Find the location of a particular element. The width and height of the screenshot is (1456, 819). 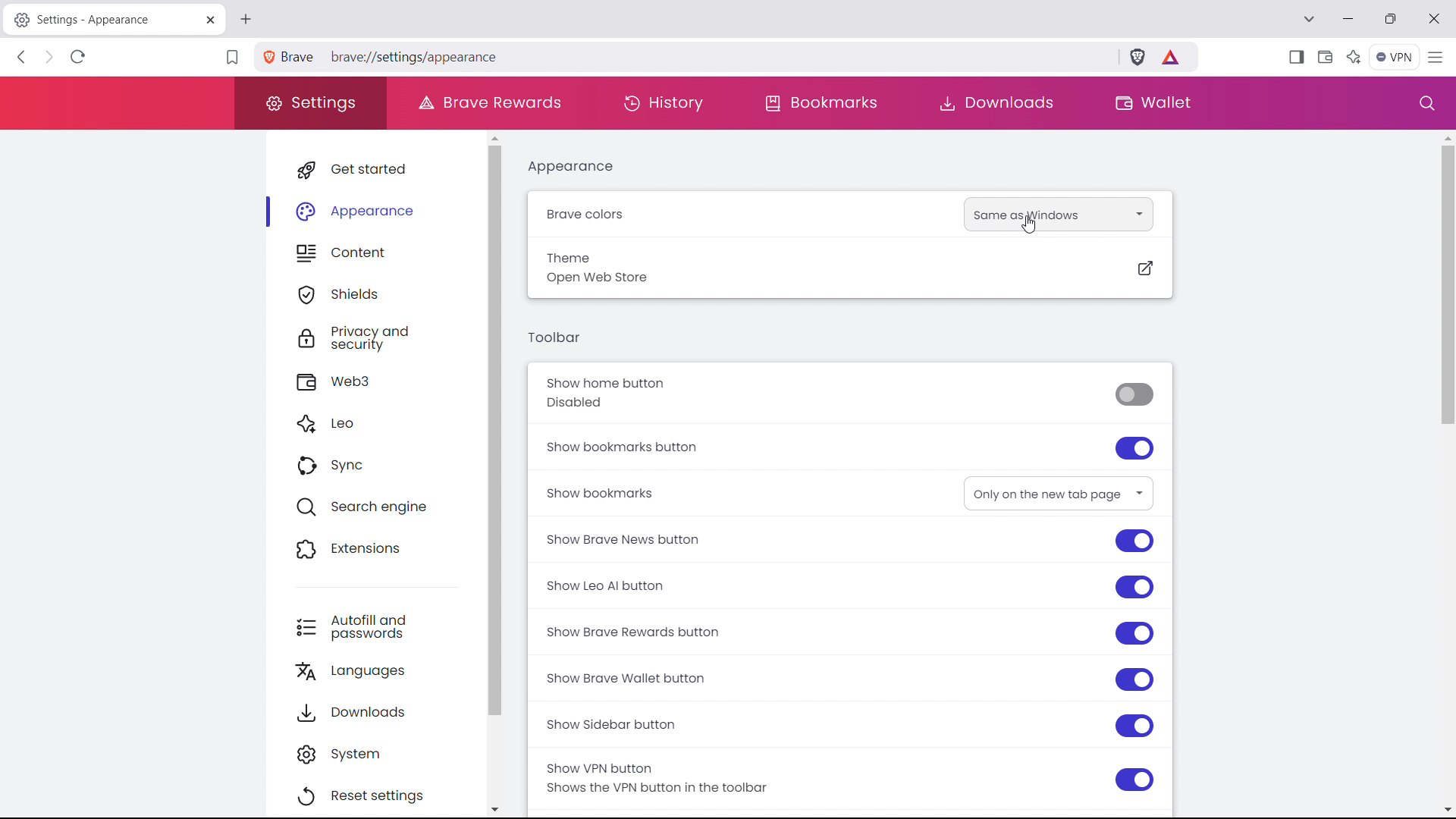

Brave is located at coordinates (290, 56).